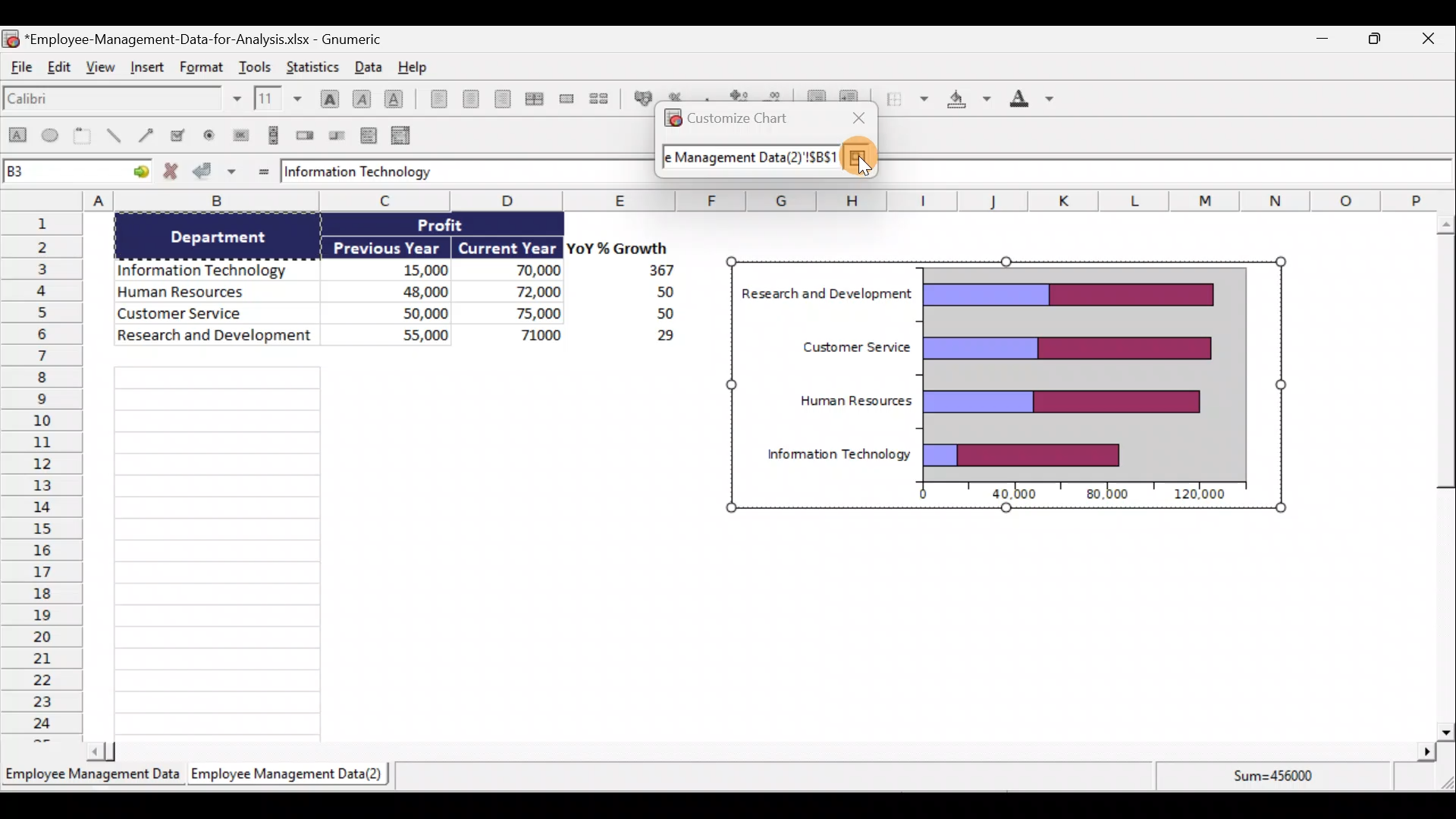 This screenshot has width=1456, height=819. What do you see at coordinates (228, 237) in the screenshot?
I see `Department` at bounding box center [228, 237].